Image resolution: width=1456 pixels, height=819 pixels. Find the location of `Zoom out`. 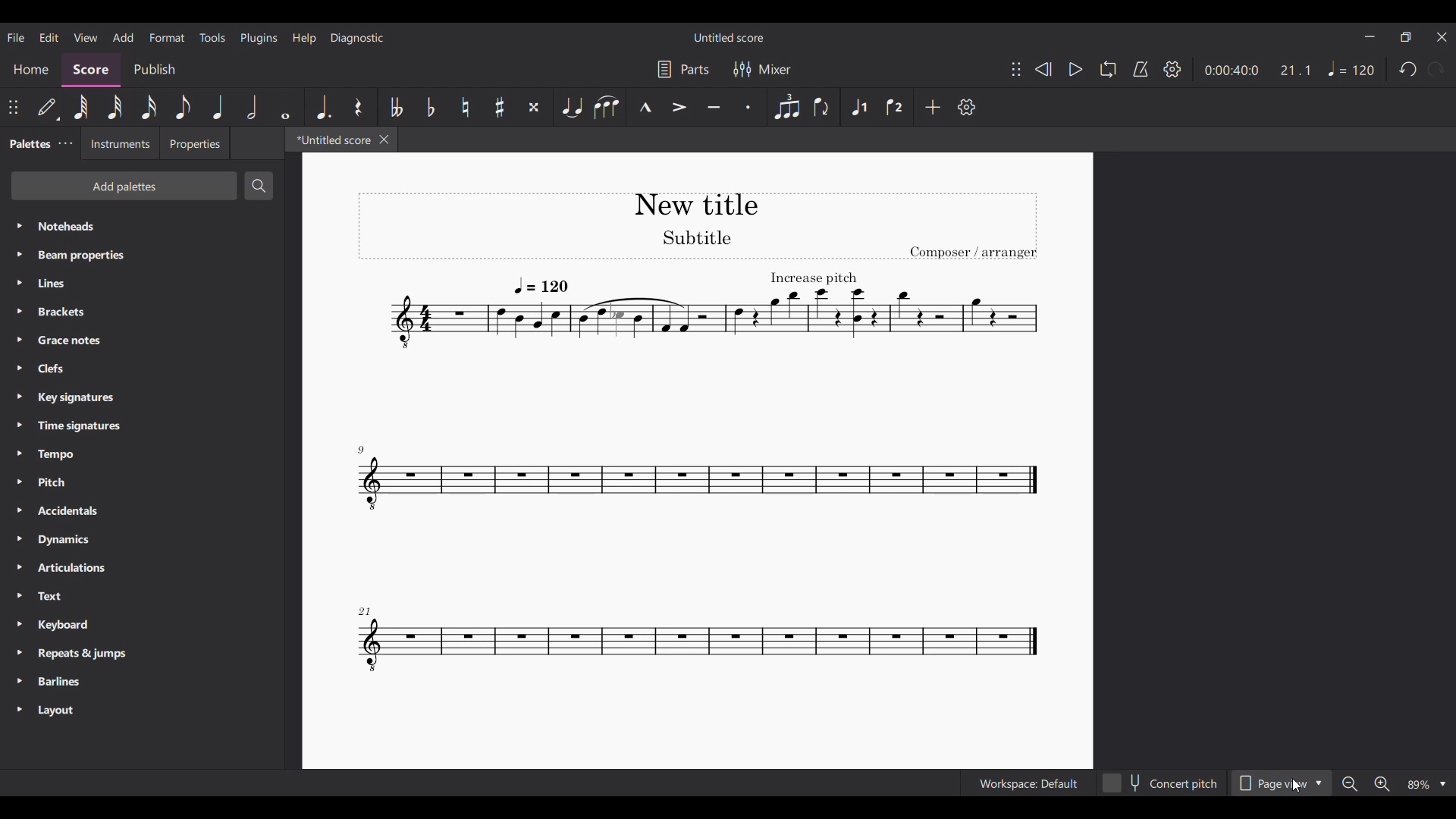

Zoom out is located at coordinates (1349, 784).